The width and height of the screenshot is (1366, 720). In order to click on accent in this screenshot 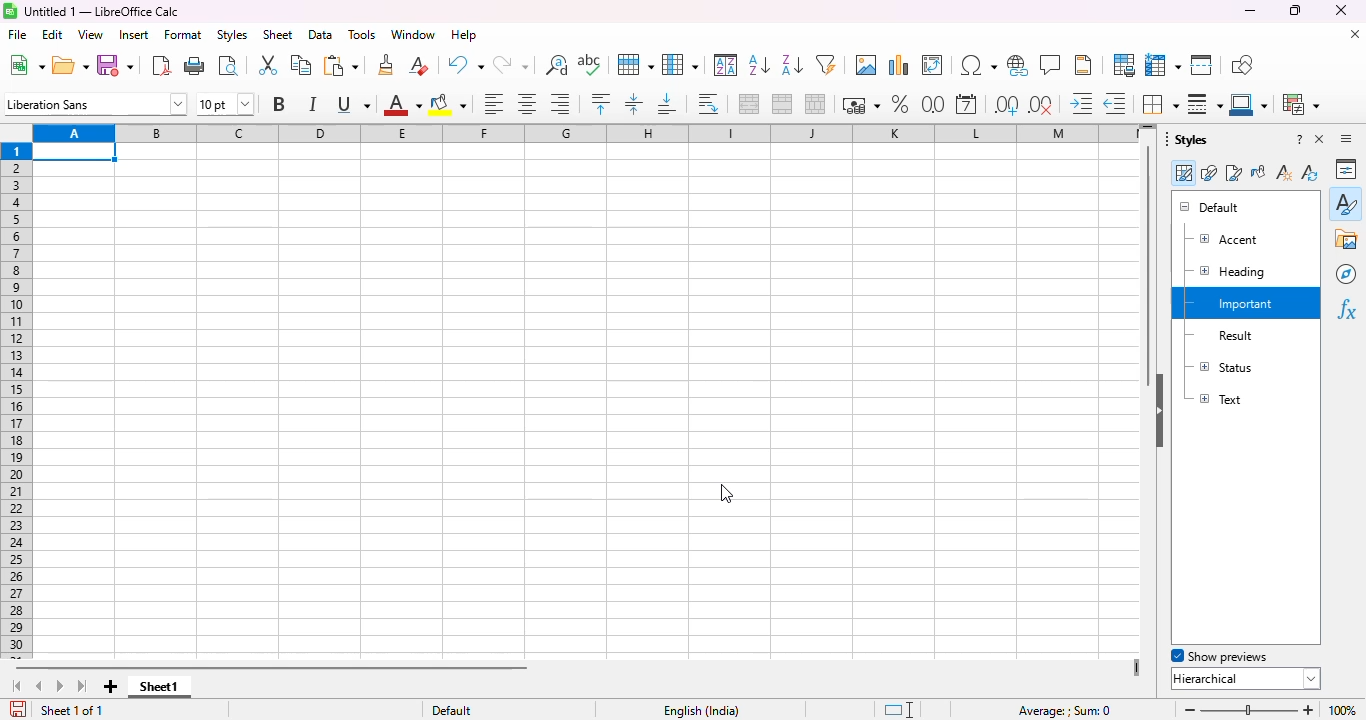, I will do `click(1223, 240)`.